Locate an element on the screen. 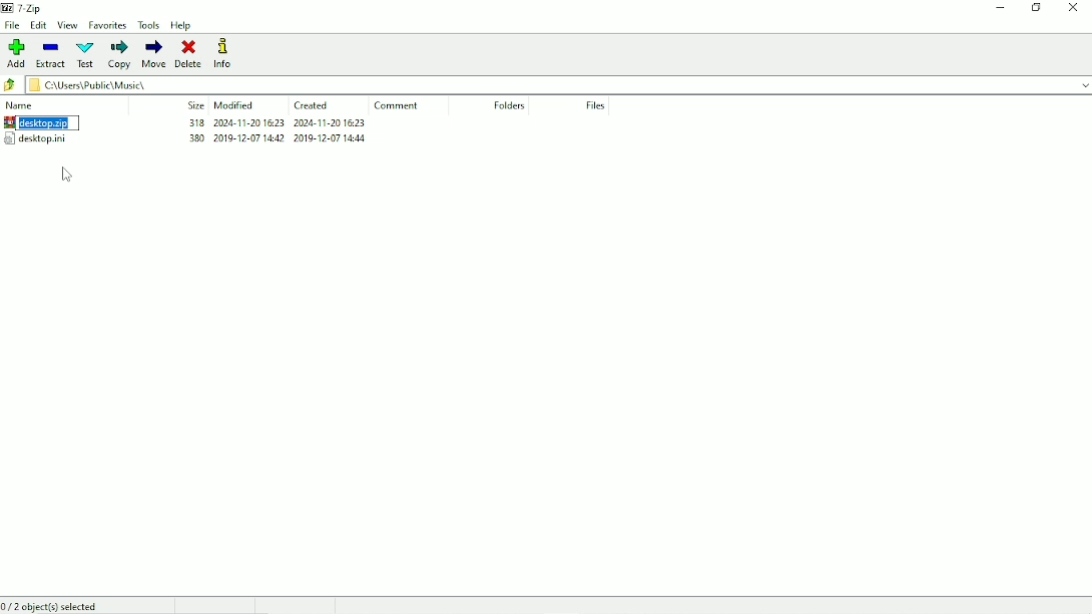  Files is located at coordinates (596, 107).